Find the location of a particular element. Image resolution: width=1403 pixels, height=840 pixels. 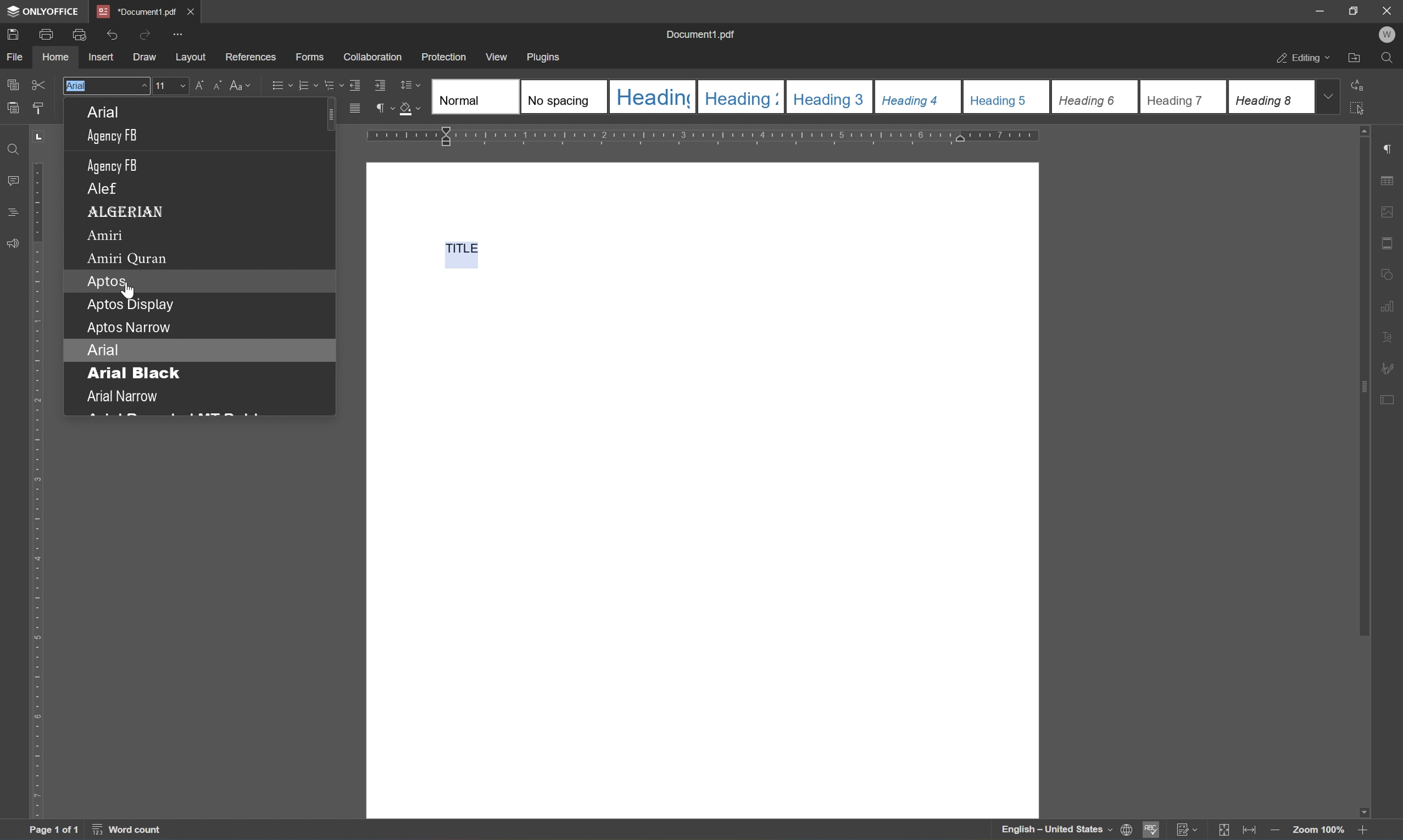

Arial is located at coordinates (178, 350).